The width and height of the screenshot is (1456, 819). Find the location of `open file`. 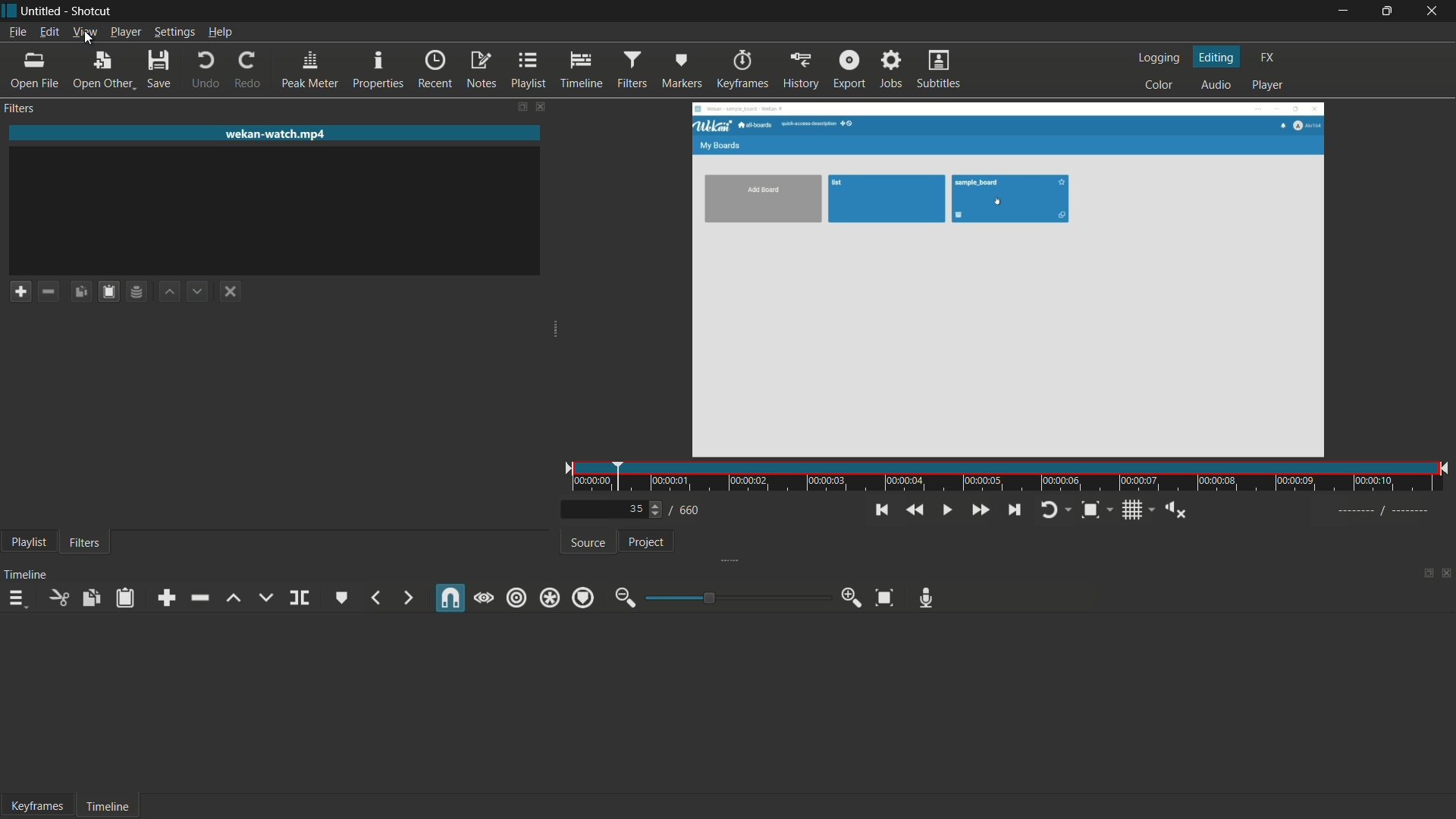

open file is located at coordinates (33, 71).